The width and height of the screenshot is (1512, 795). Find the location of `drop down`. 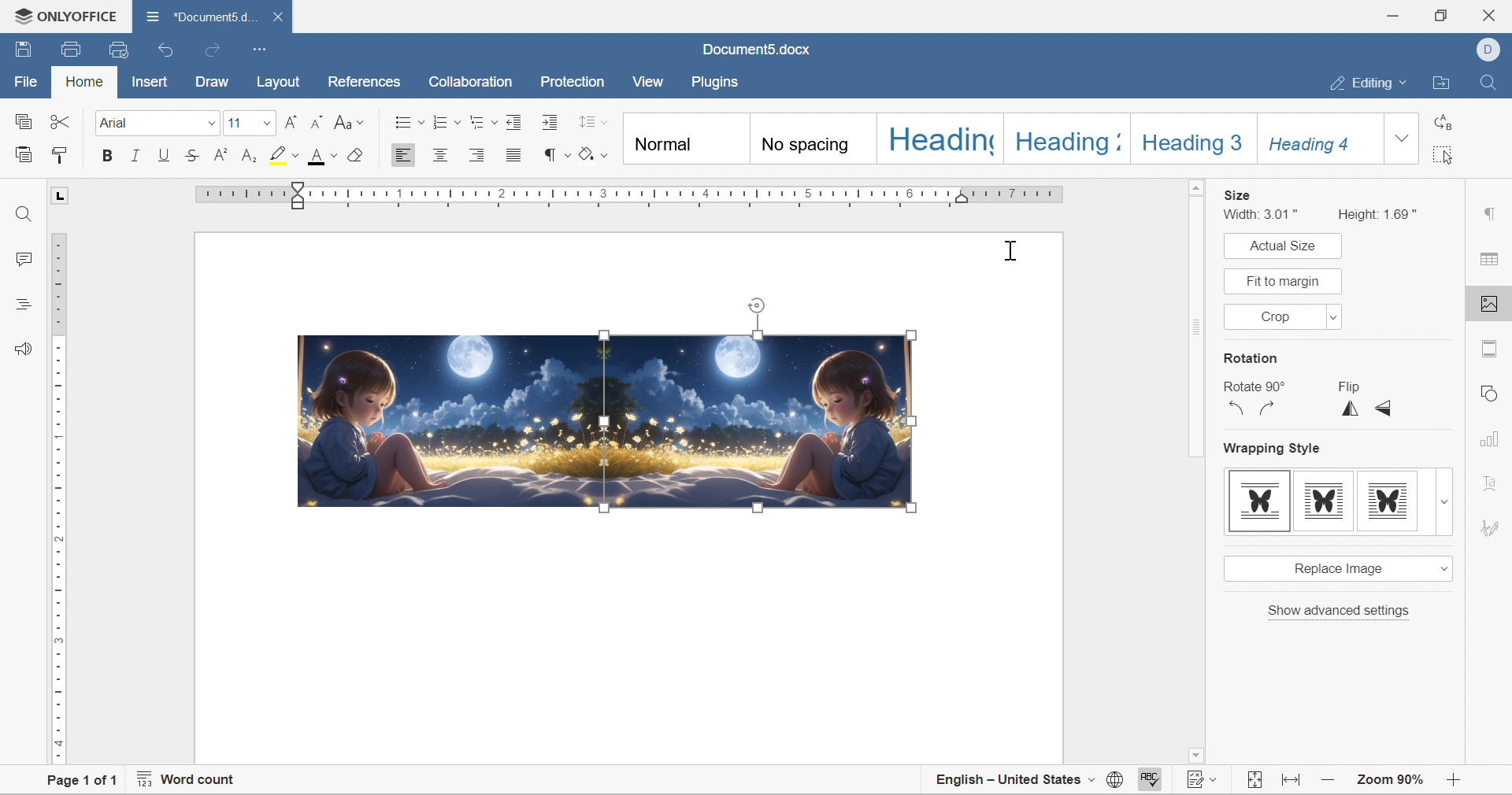

drop down is located at coordinates (1333, 317).